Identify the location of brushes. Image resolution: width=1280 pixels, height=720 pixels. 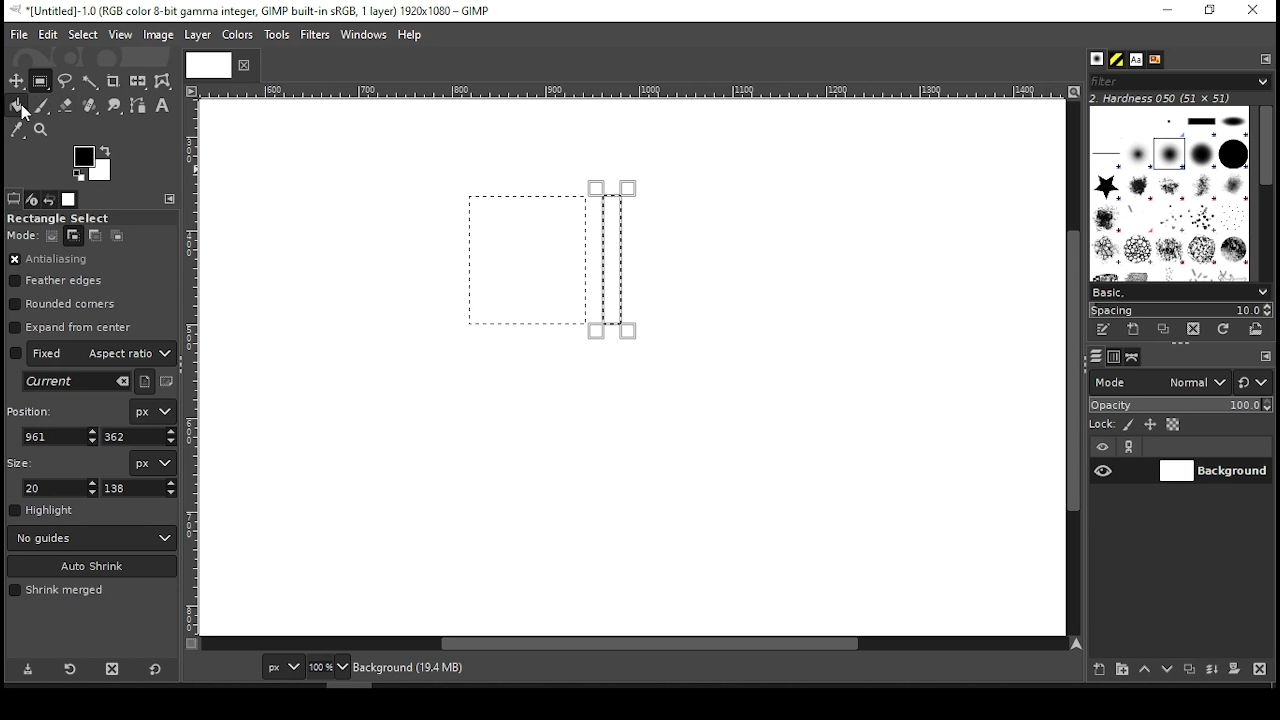
(1097, 60).